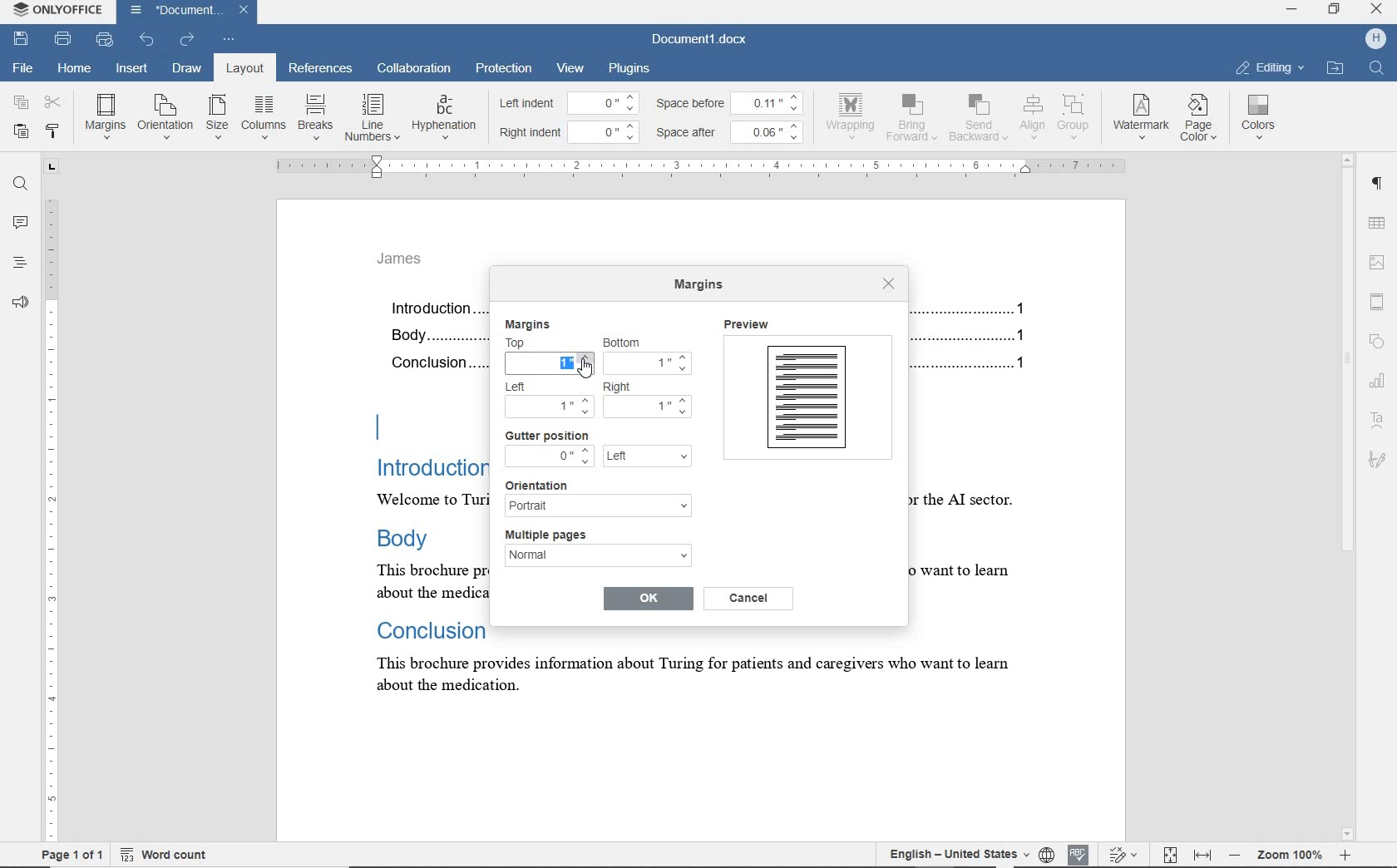 The width and height of the screenshot is (1397, 868). Describe the element at coordinates (106, 42) in the screenshot. I see `quick print` at that location.